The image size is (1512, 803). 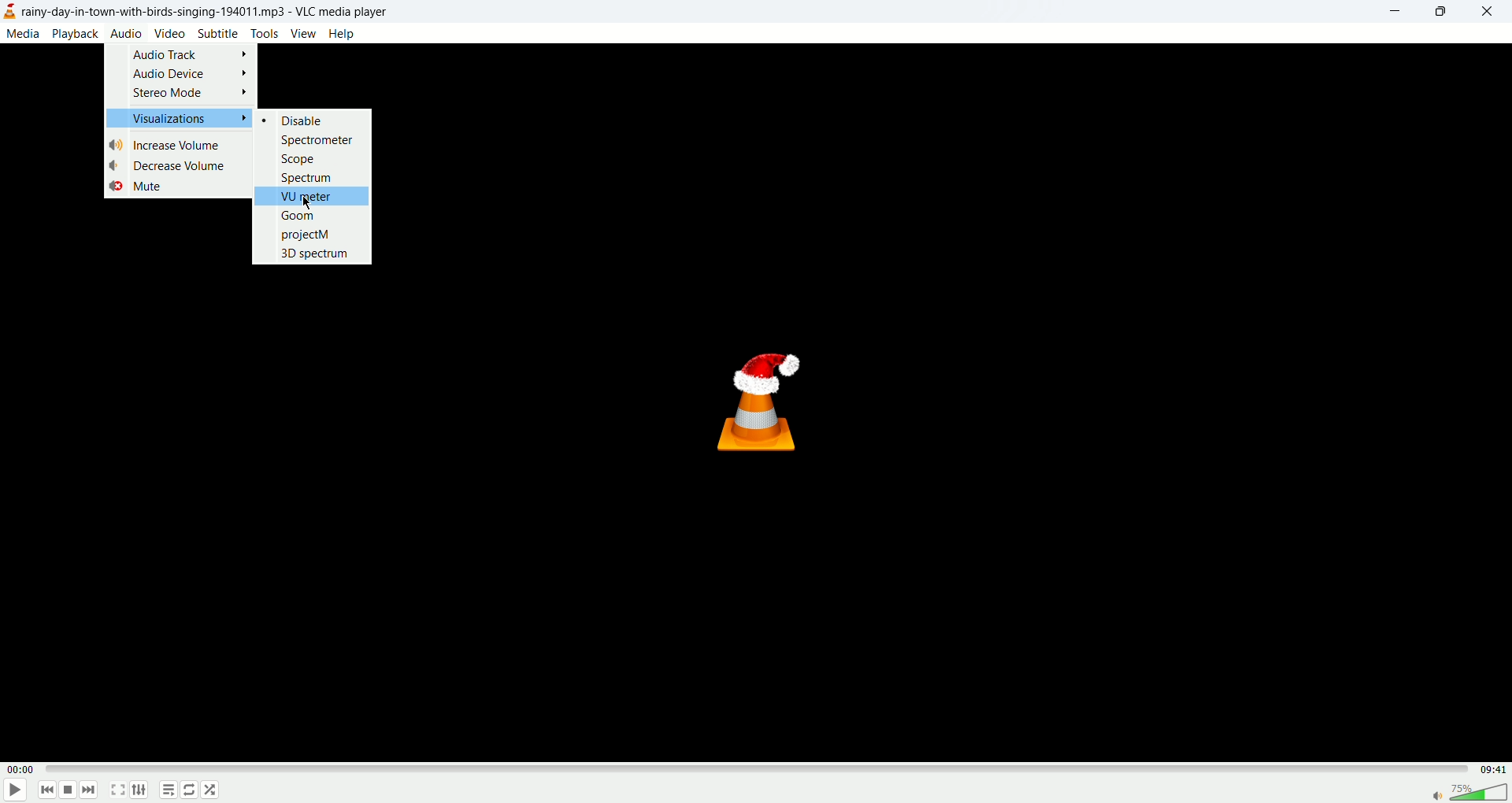 What do you see at coordinates (194, 94) in the screenshot?
I see `stereo mode` at bounding box center [194, 94].